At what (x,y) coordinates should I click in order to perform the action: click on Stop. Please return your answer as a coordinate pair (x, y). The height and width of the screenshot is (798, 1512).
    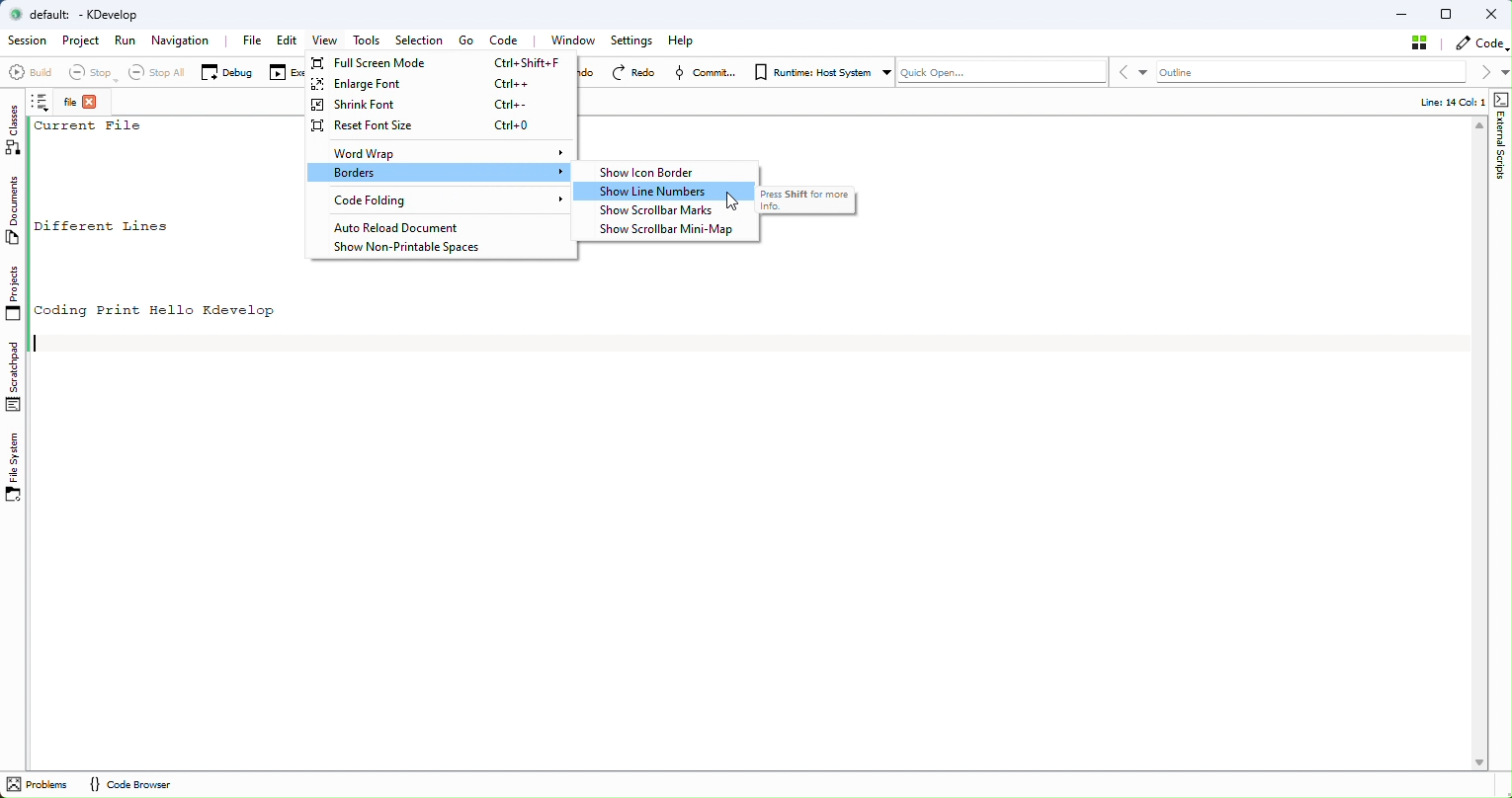
    Looking at the image, I should click on (88, 73).